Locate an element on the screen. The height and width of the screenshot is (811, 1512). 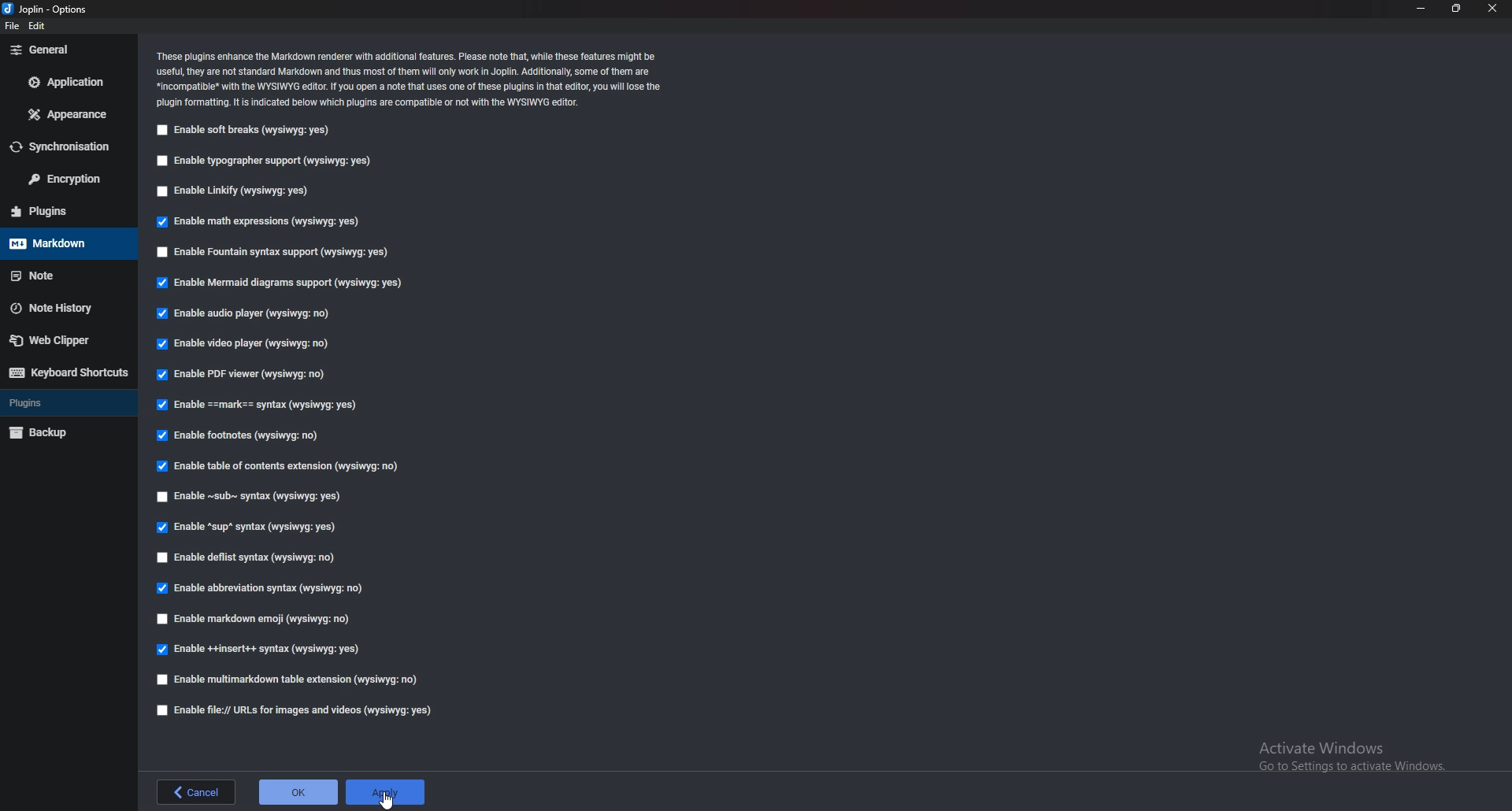
enable file urls for images and videos is located at coordinates (295, 709).